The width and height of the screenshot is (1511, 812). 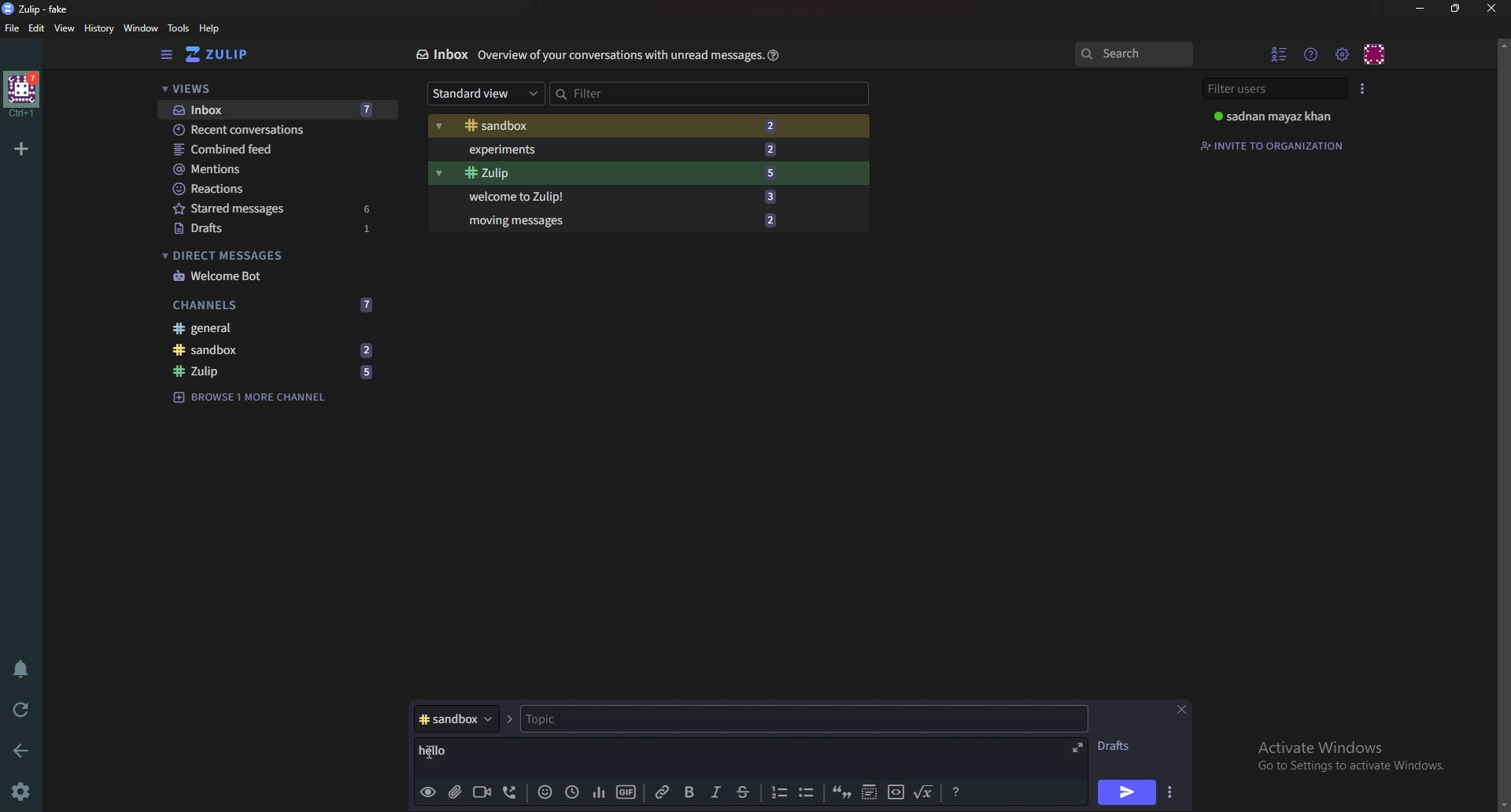 What do you see at coordinates (956, 792) in the screenshot?
I see `format message` at bounding box center [956, 792].